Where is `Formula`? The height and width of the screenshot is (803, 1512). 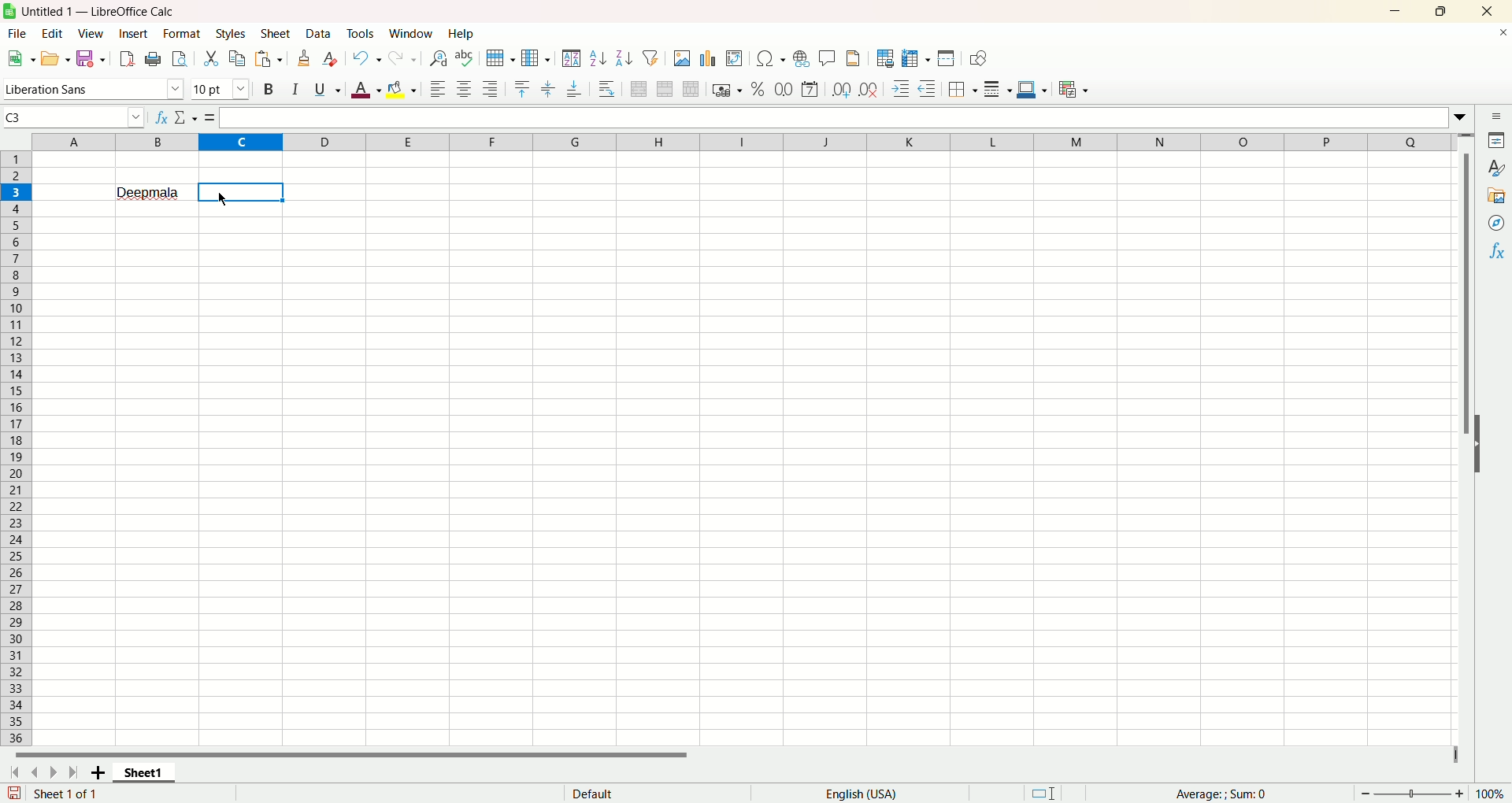
Formula is located at coordinates (210, 117).